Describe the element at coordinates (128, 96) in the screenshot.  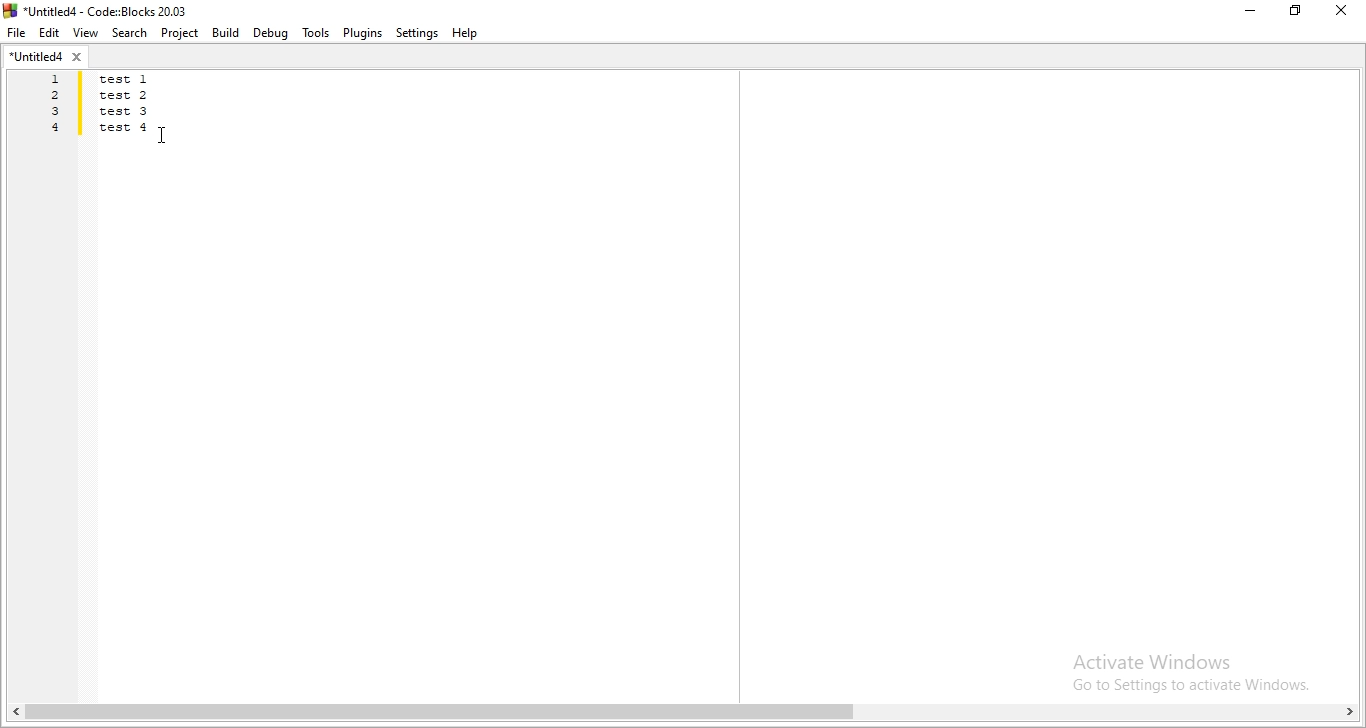
I see ` test 2` at that location.